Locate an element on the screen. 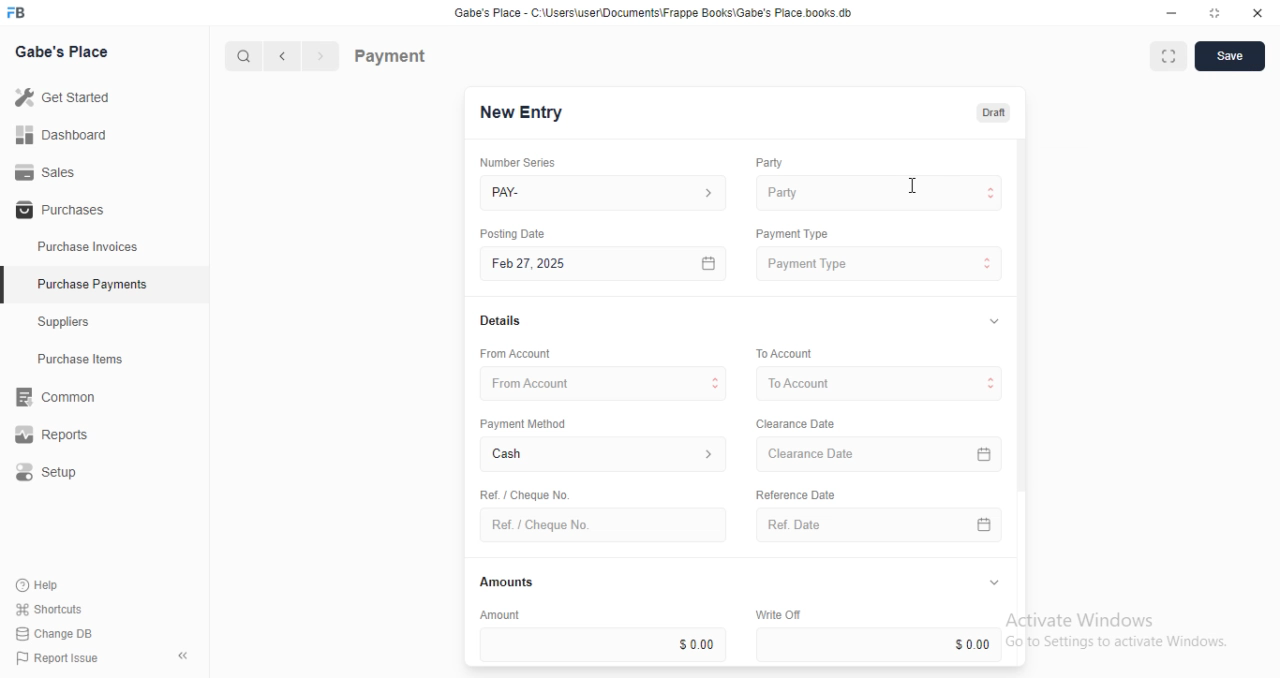 This screenshot has height=678, width=1280. To Account is located at coordinates (782, 352).